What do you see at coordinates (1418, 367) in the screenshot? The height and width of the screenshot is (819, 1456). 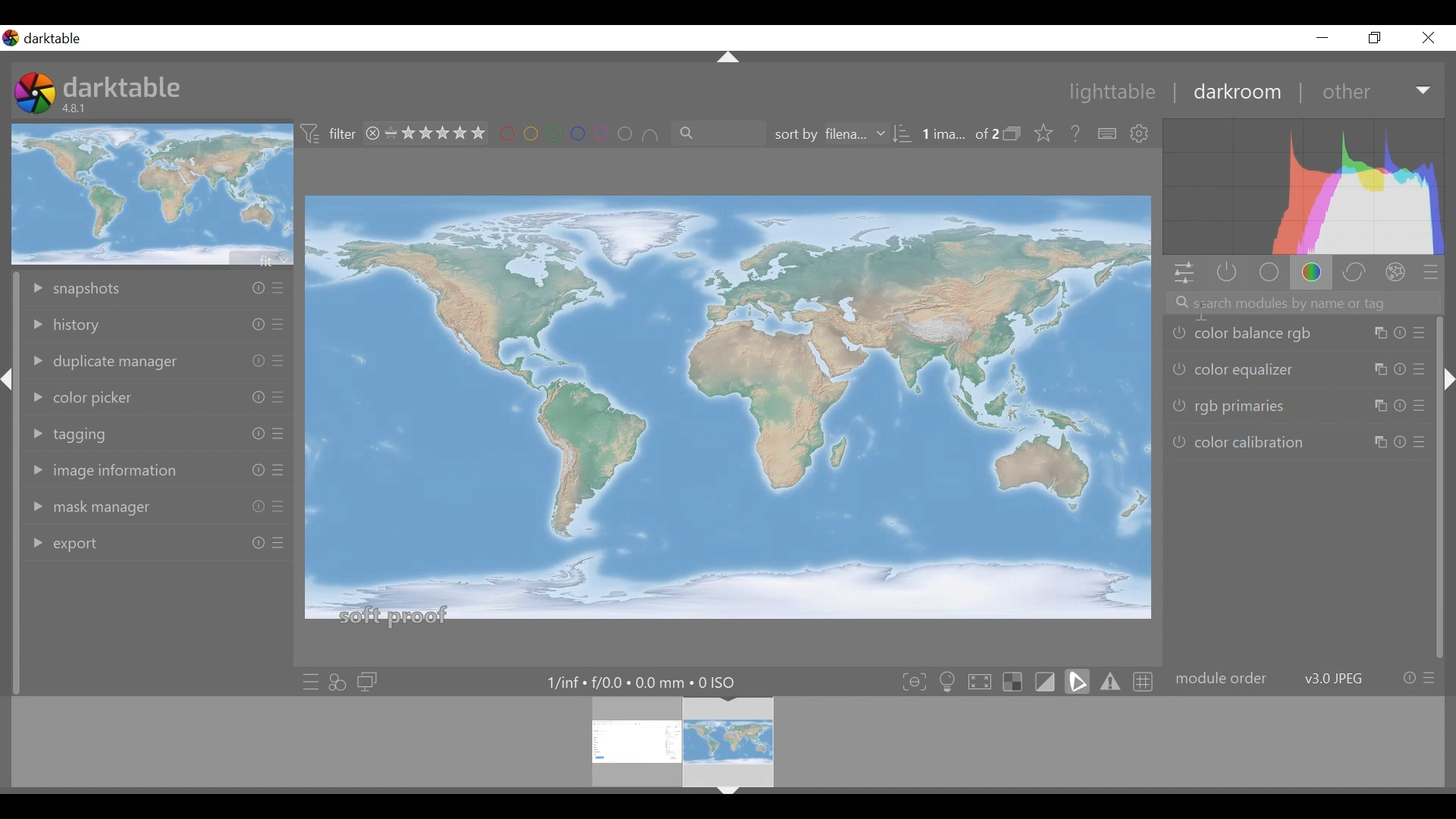 I see `` at bounding box center [1418, 367].